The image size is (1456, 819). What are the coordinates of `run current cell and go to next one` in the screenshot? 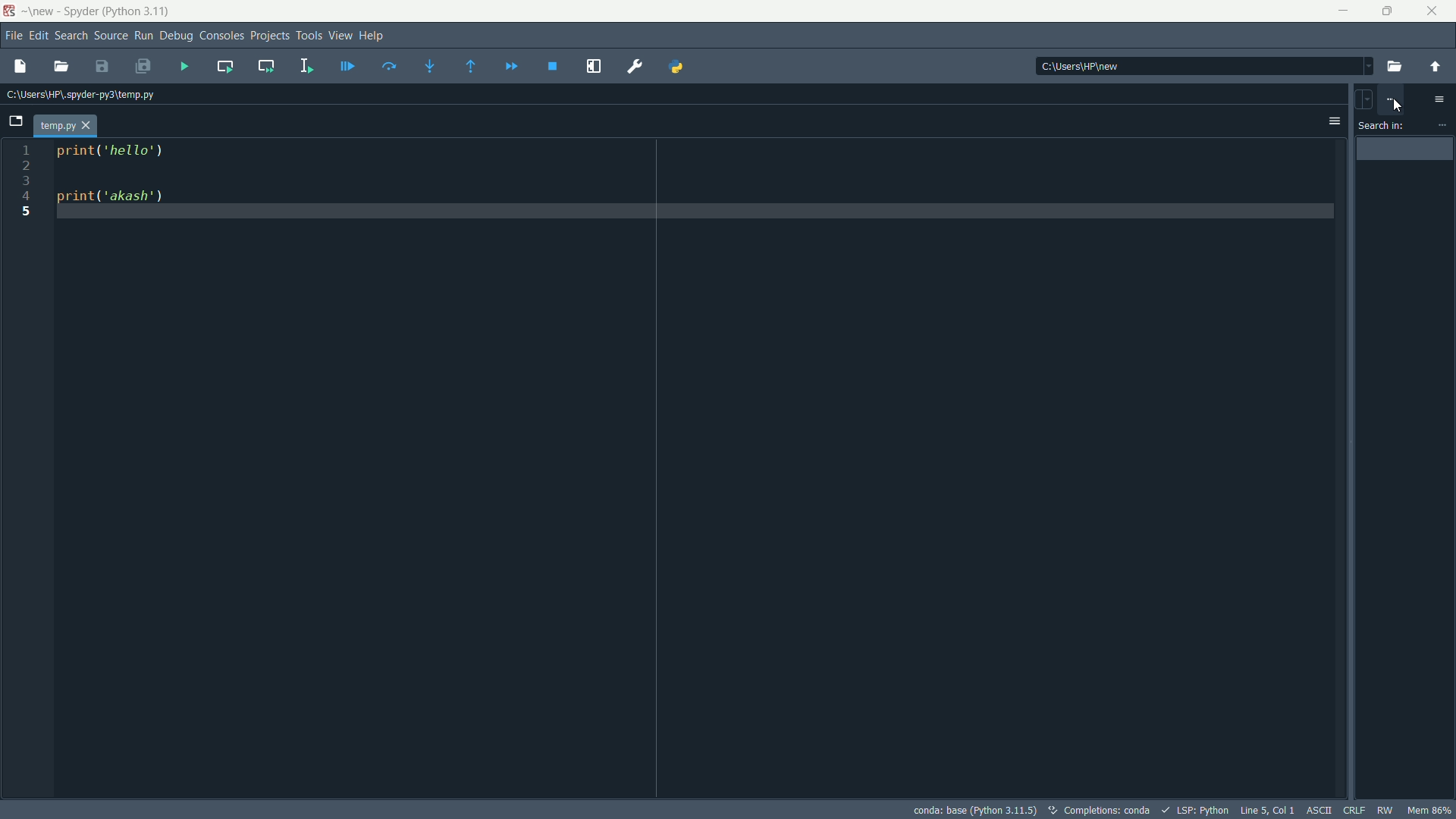 It's located at (267, 66).